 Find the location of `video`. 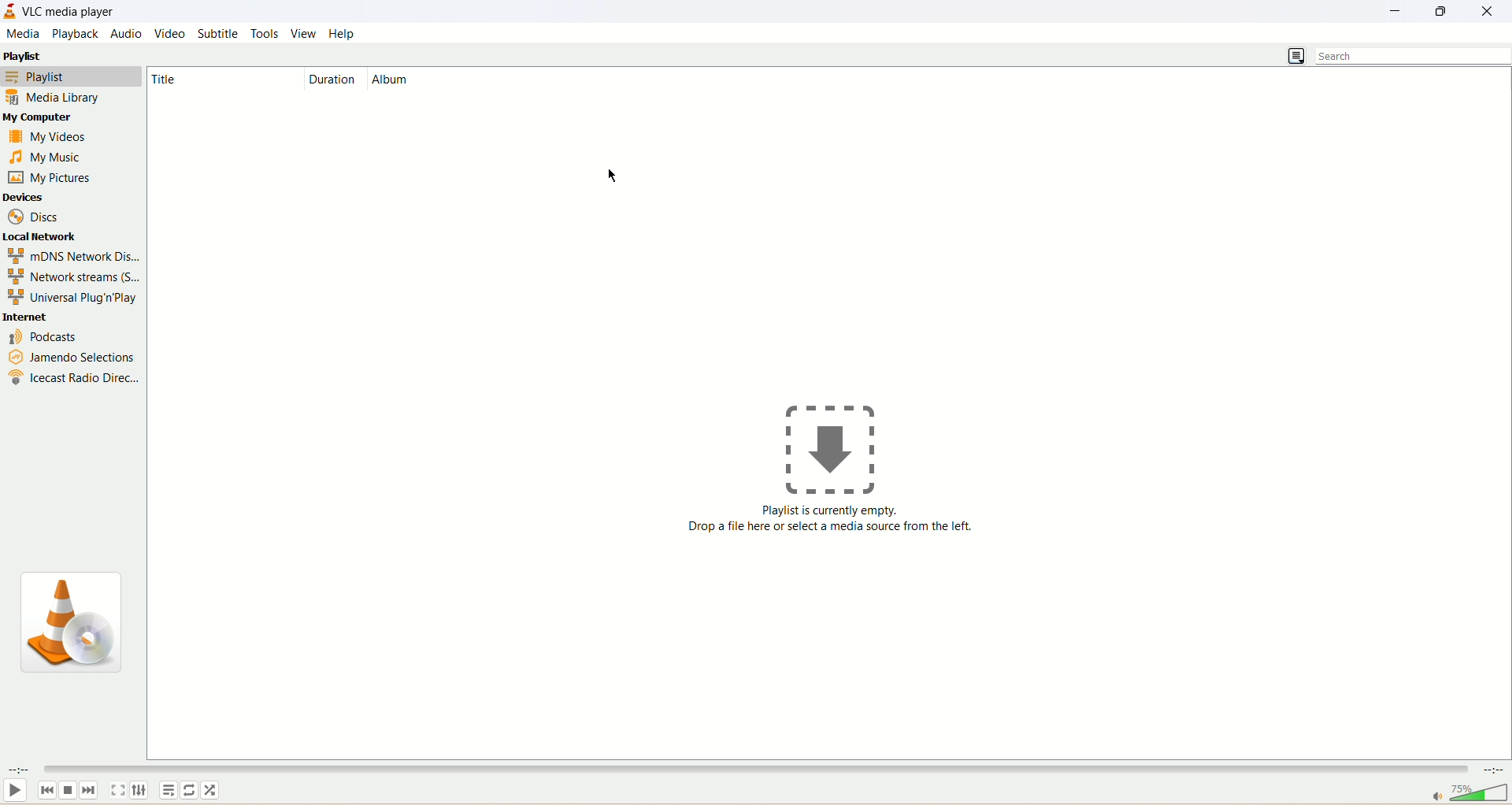

video is located at coordinates (169, 33).